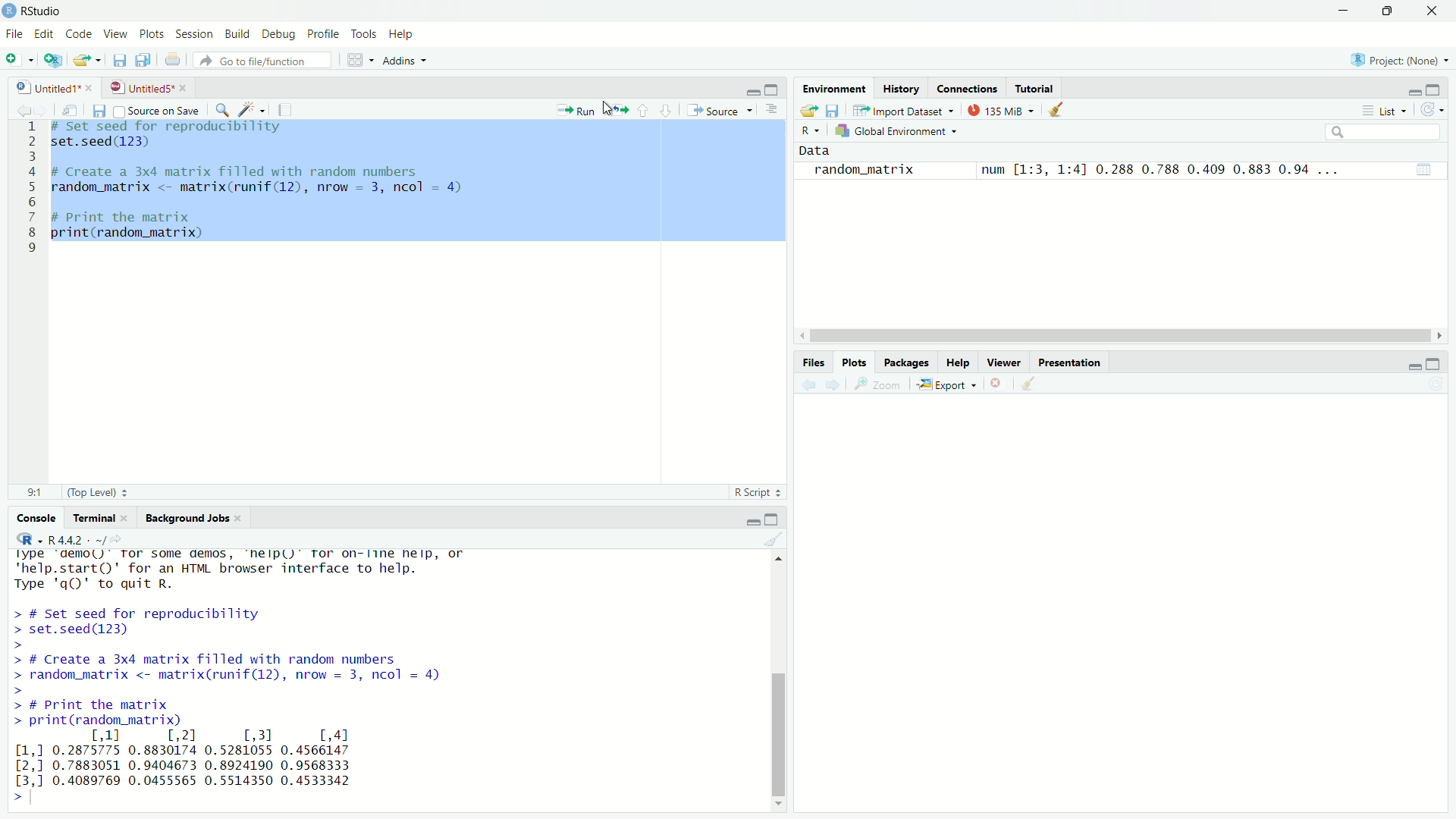  Describe the element at coordinates (899, 111) in the screenshot. I see `import dataset` at that location.